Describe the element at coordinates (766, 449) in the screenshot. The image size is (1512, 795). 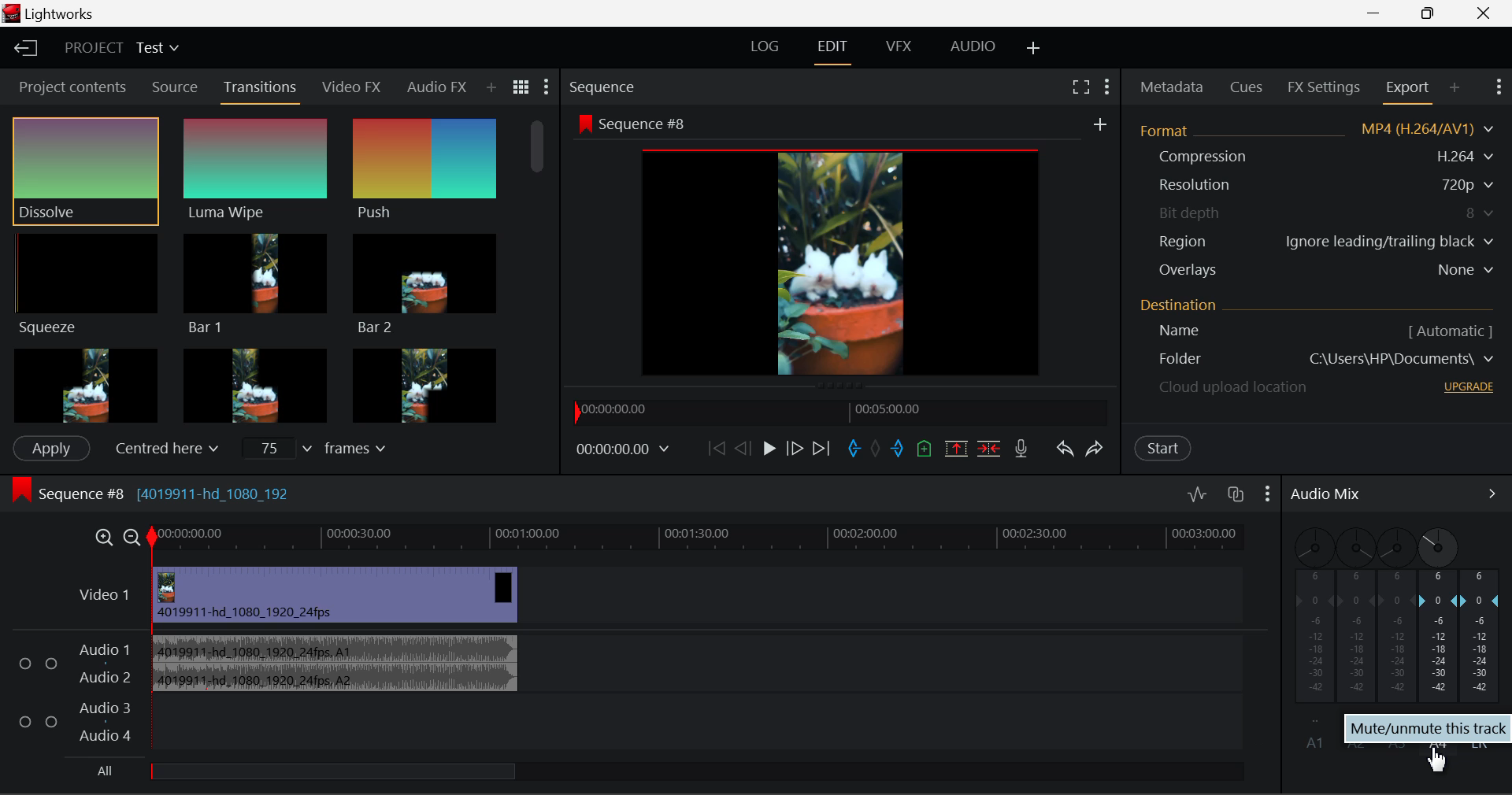
I see `Play` at that location.